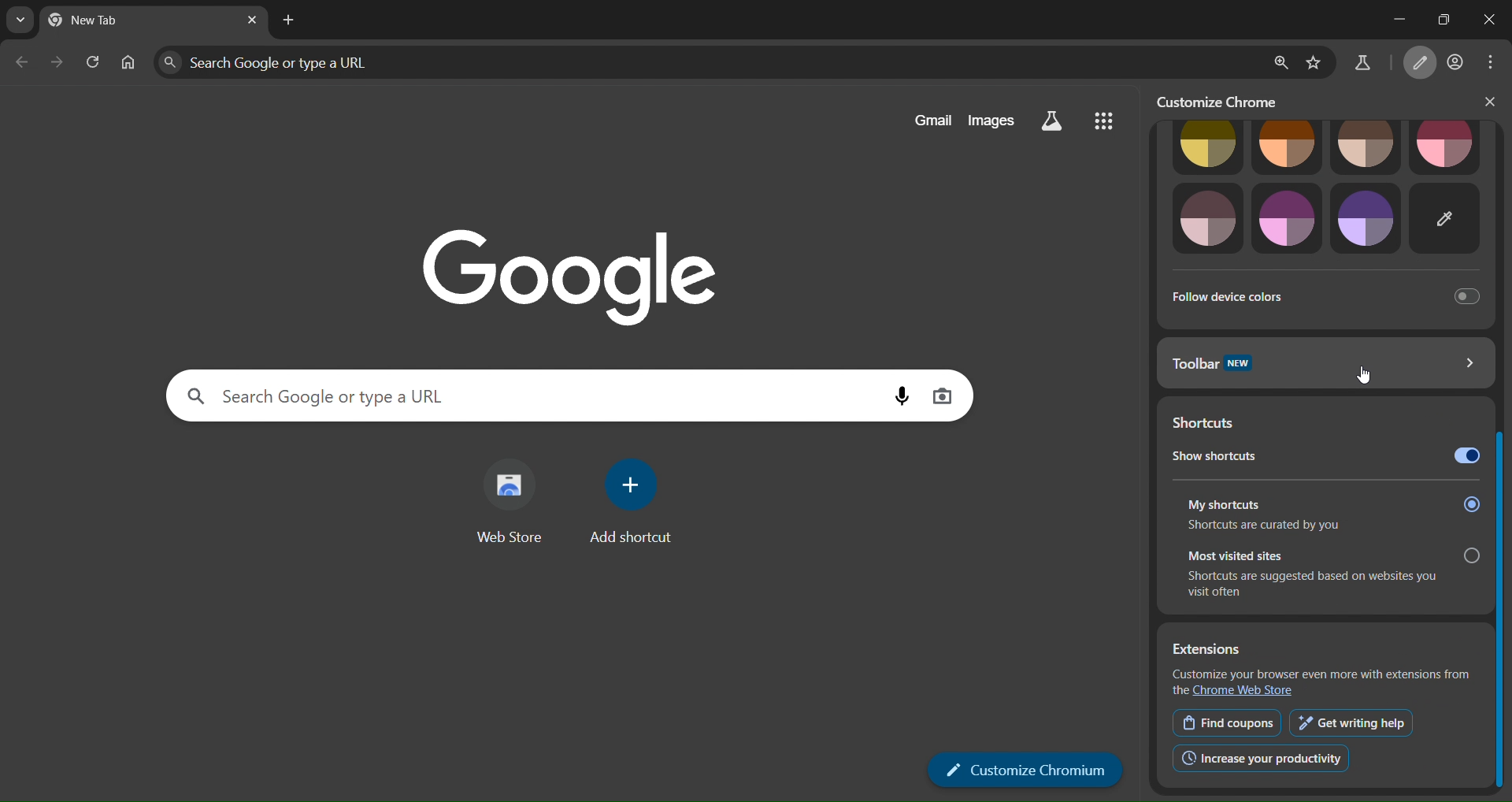 The width and height of the screenshot is (1512, 802). Describe the element at coordinates (631, 502) in the screenshot. I see `add shortcut` at that location.